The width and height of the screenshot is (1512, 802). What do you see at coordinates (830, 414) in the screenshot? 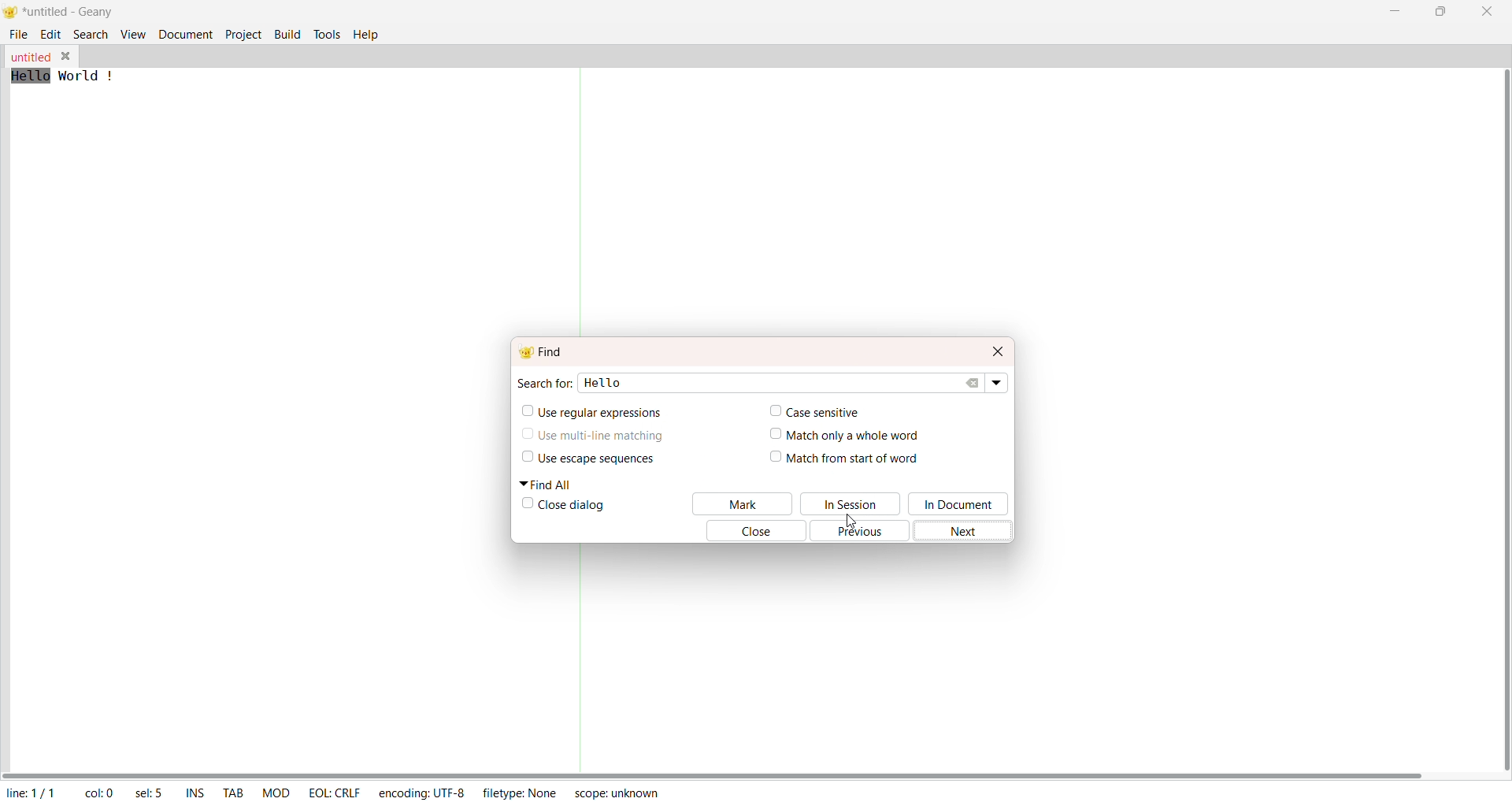
I see `Case Sensitive` at bounding box center [830, 414].